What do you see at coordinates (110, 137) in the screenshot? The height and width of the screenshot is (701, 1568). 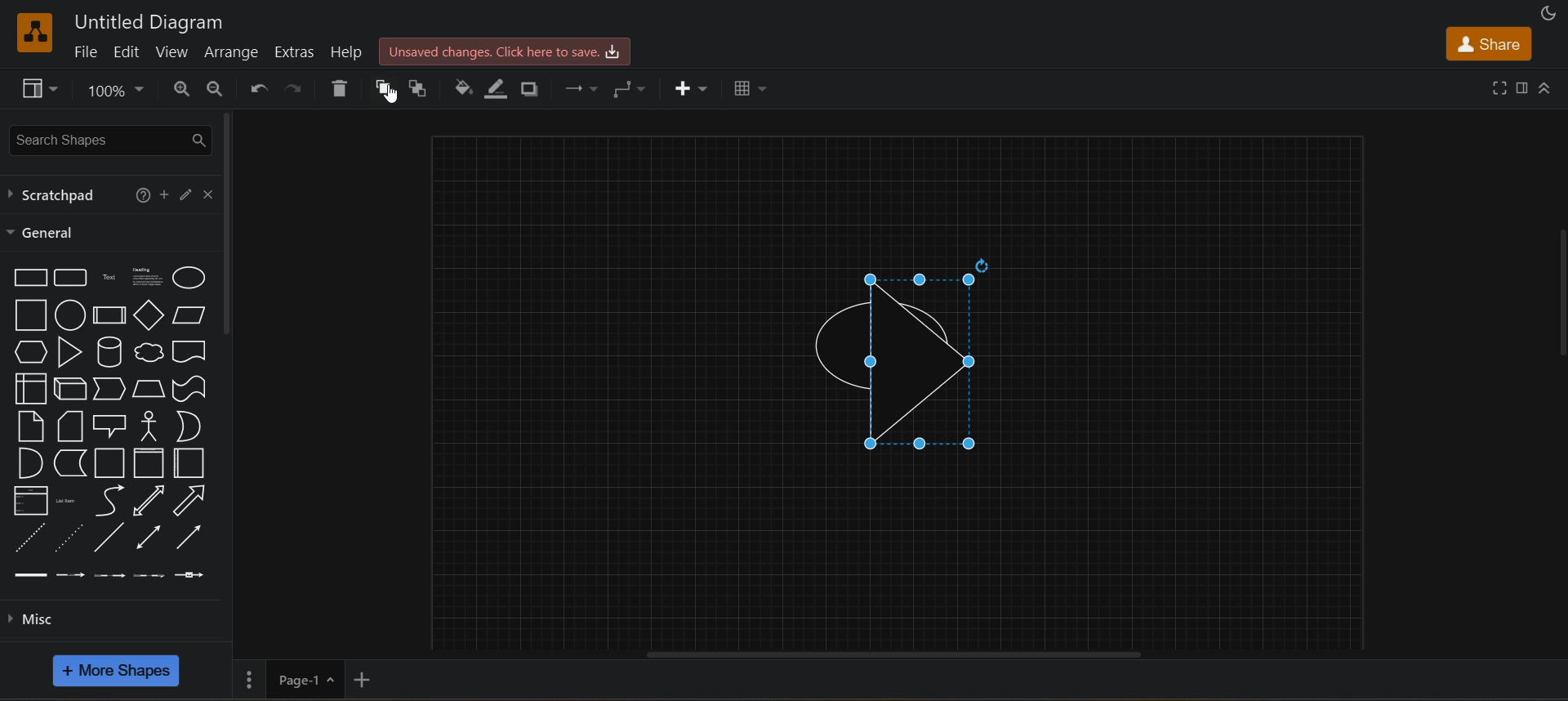 I see `search shapes` at bounding box center [110, 137].